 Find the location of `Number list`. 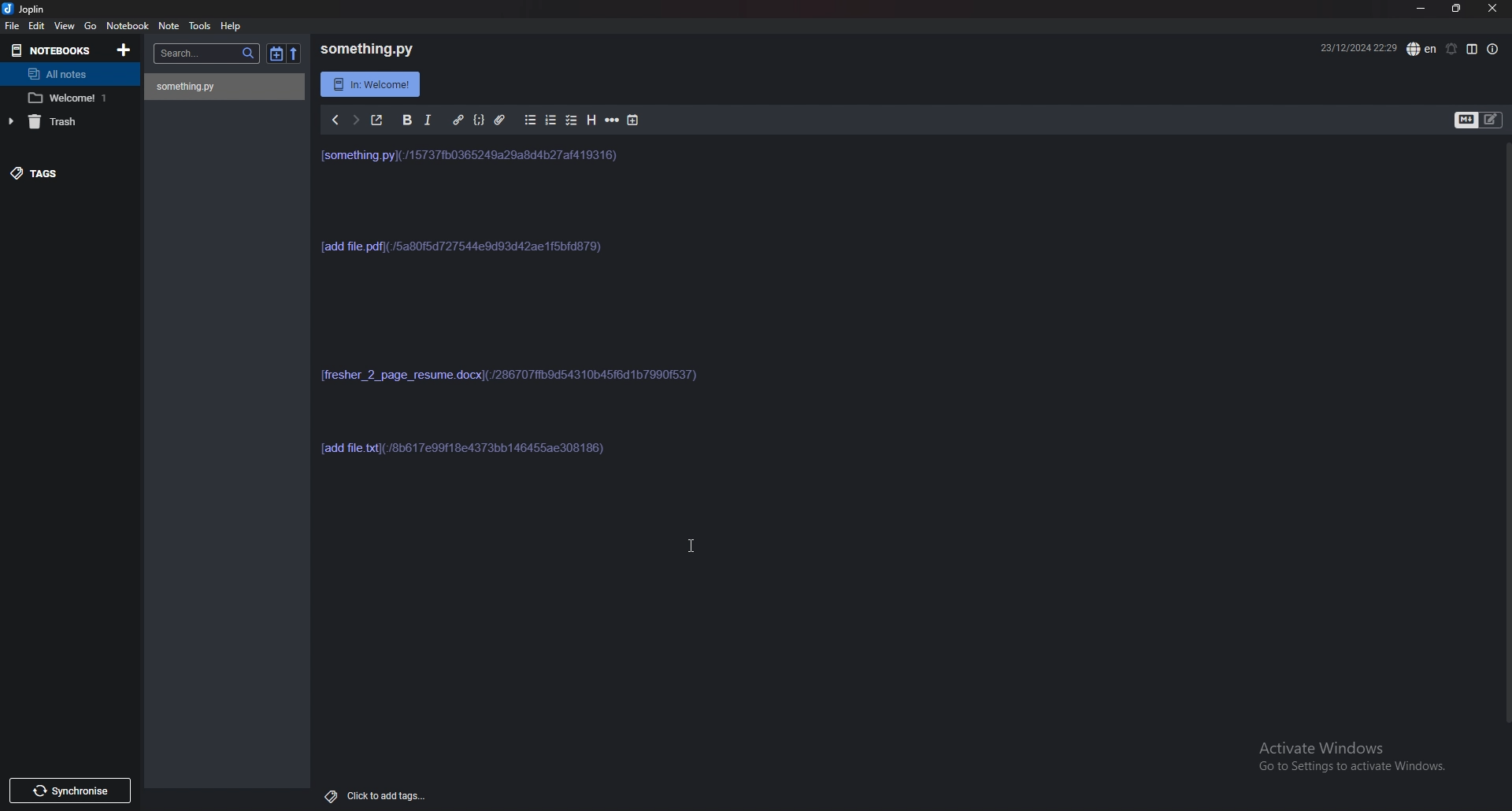

Number list is located at coordinates (550, 121).